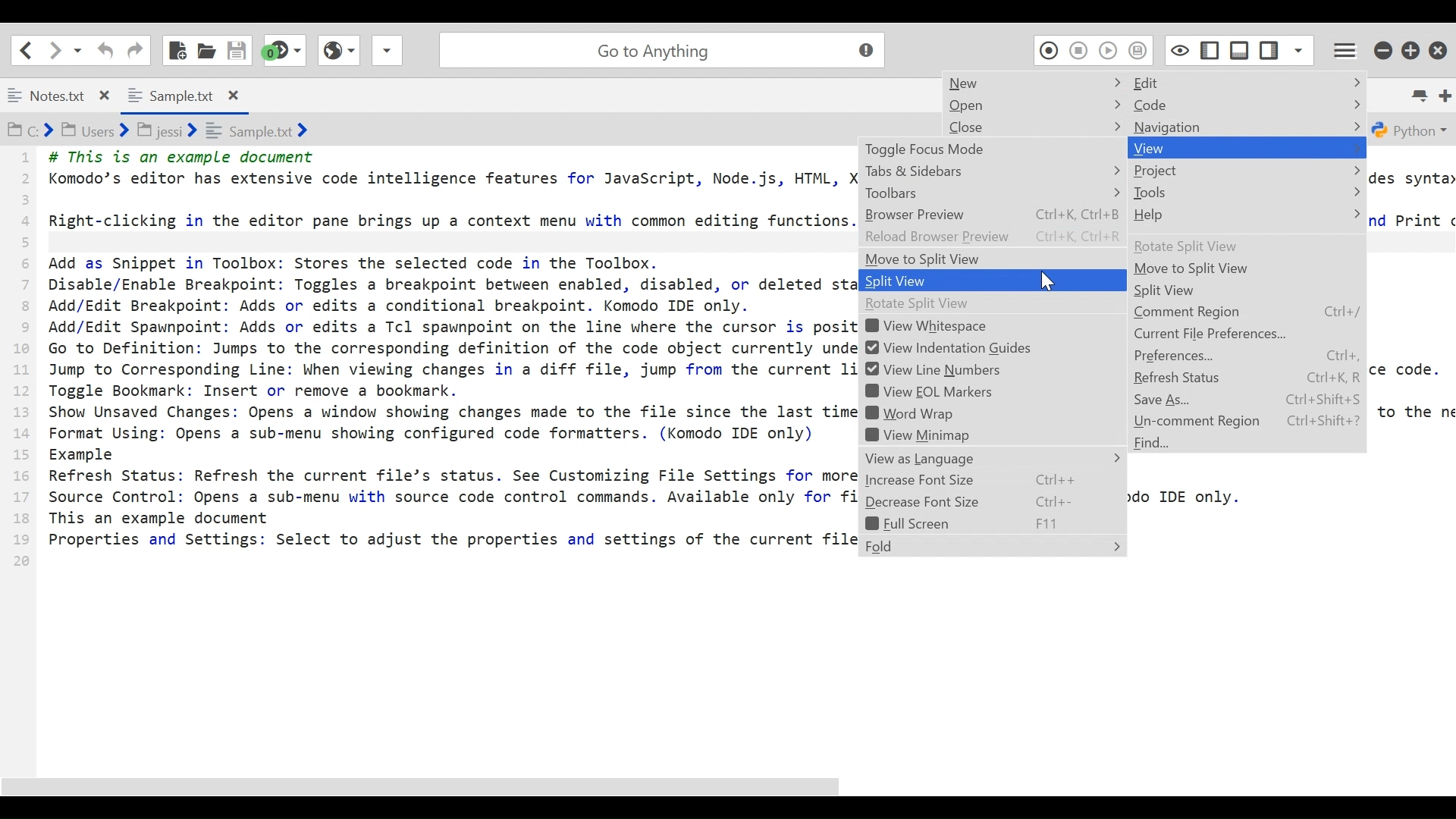 The width and height of the screenshot is (1456, 819). Describe the element at coordinates (1212, 49) in the screenshot. I see `Show/Hide Left Pane` at that location.